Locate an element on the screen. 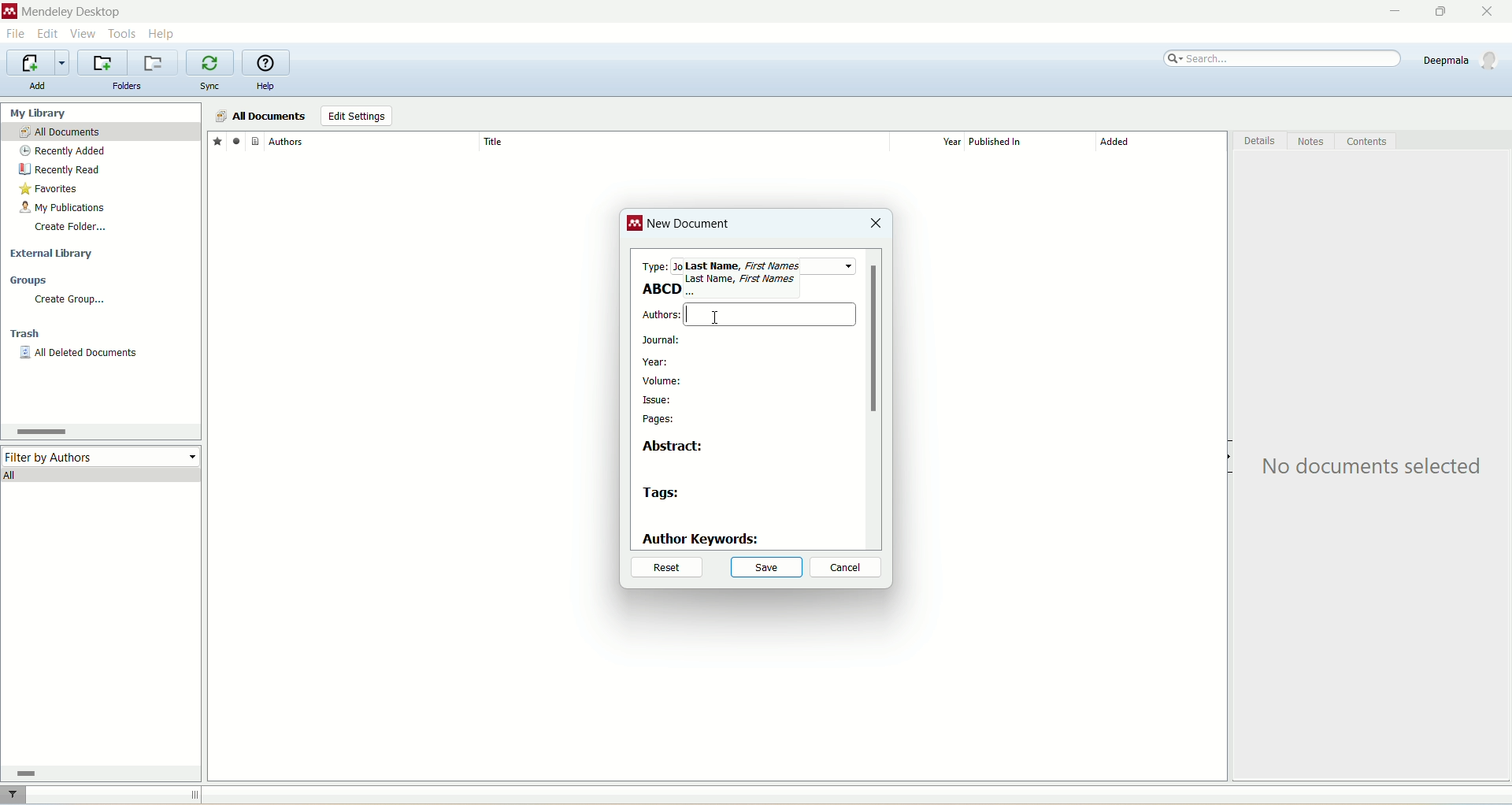 This screenshot has width=1512, height=805. favorites is located at coordinates (50, 191).